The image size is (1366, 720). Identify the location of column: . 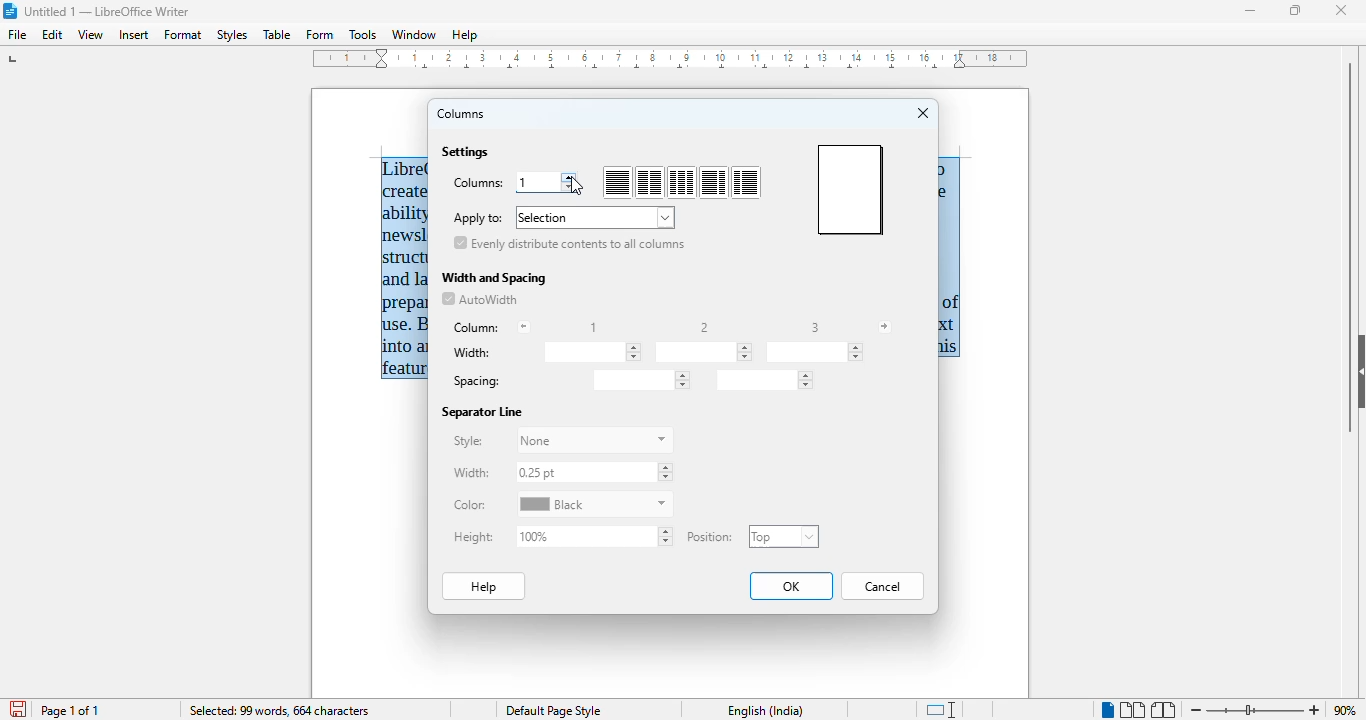
(477, 328).